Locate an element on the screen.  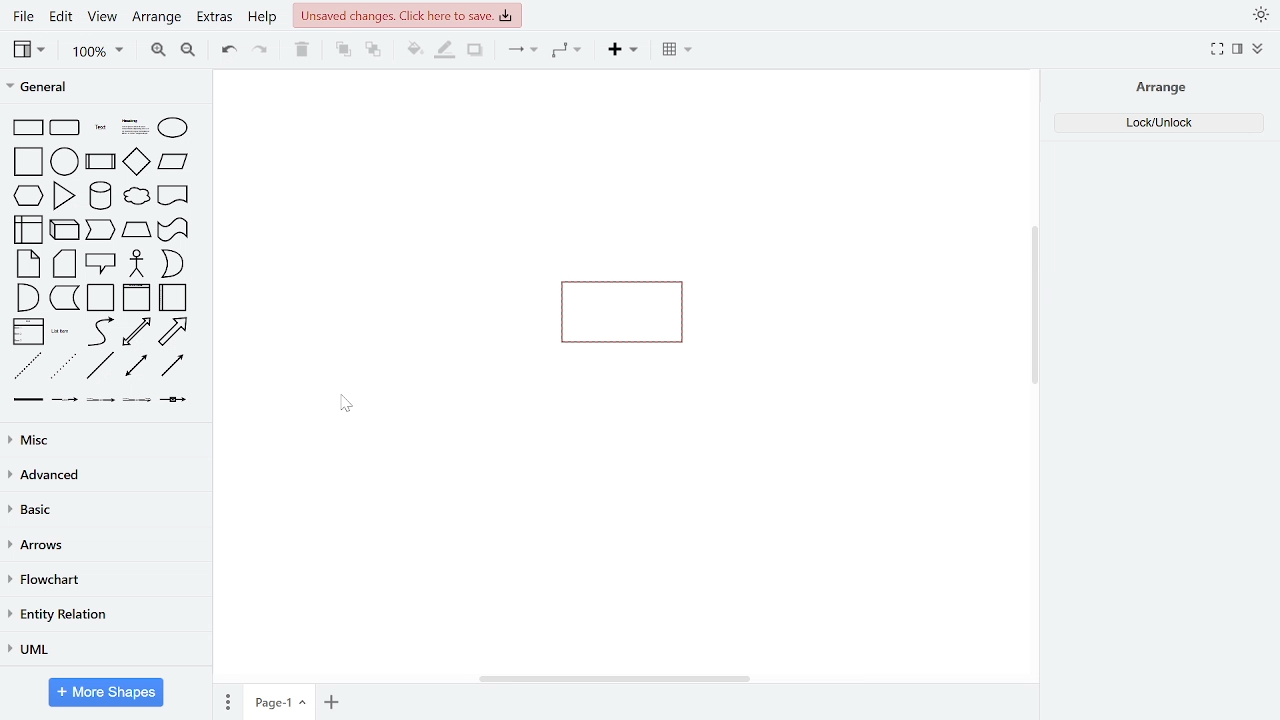
data storage is located at coordinates (64, 298).